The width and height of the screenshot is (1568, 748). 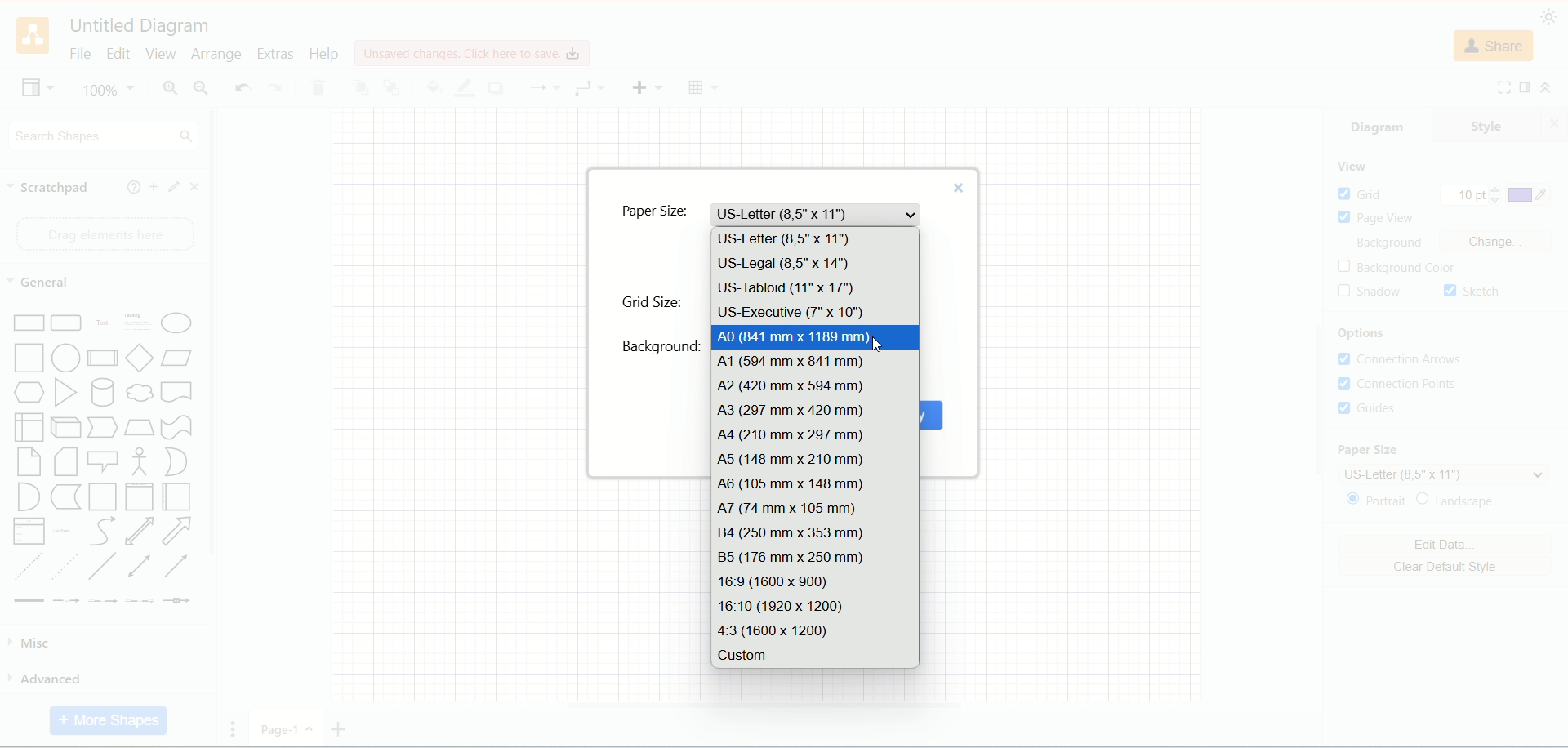 I want to click on Card, so click(x=67, y=464).